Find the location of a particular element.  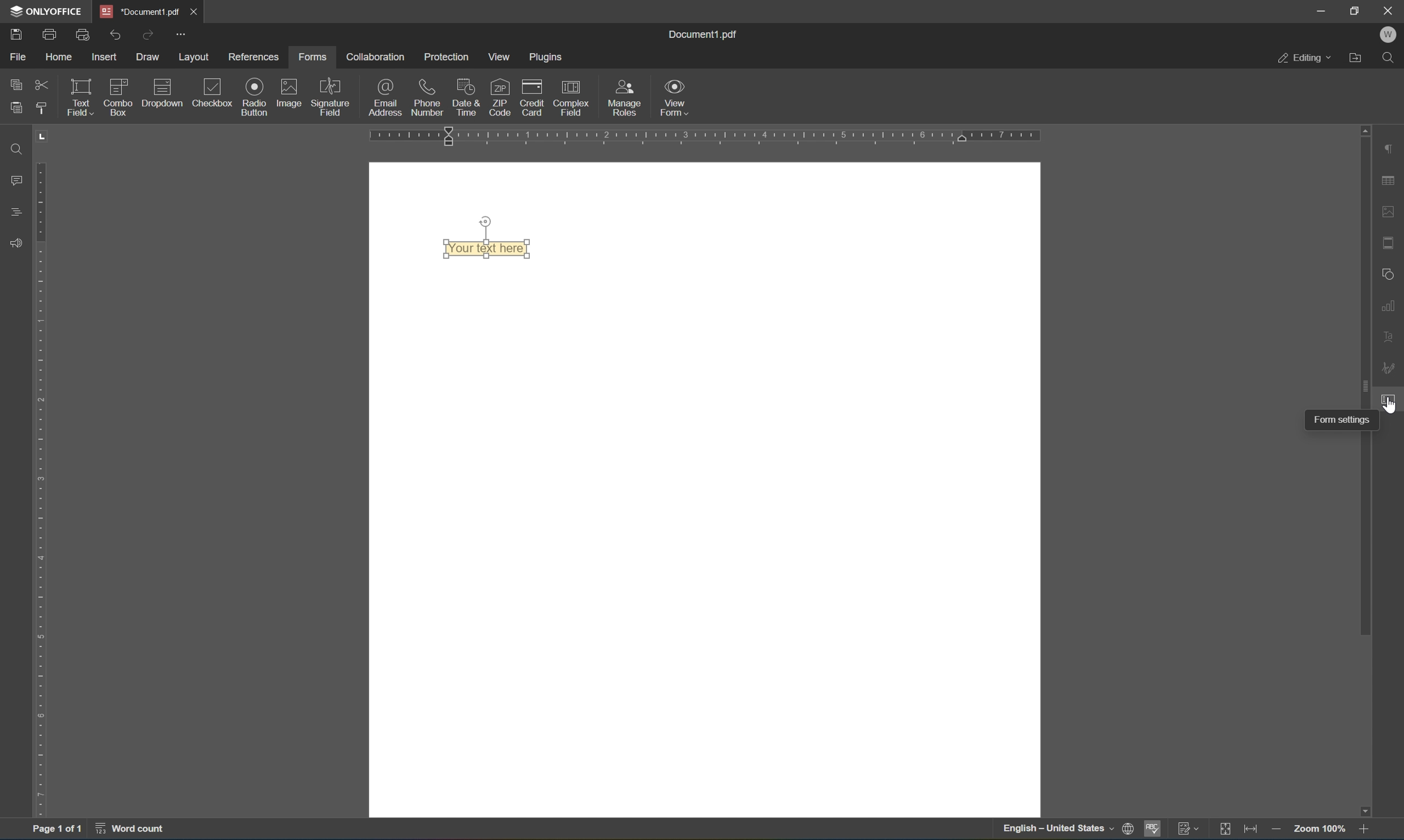

collaboration is located at coordinates (378, 57).